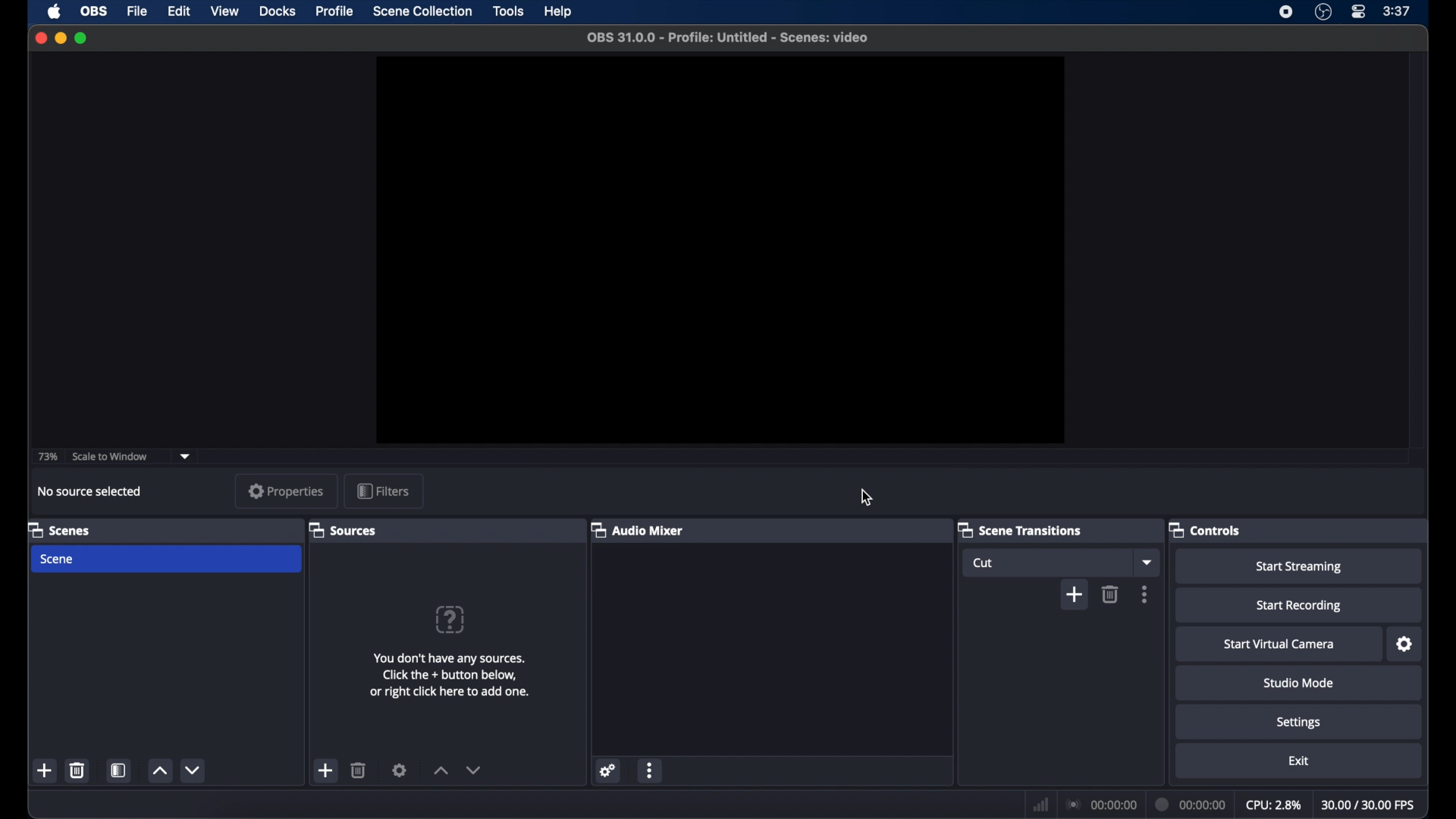 Image resolution: width=1456 pixels, height=819 pixels. Describe the element at coordinates (1021, 529) in the screenshot. I see `scene transitions` at that location.